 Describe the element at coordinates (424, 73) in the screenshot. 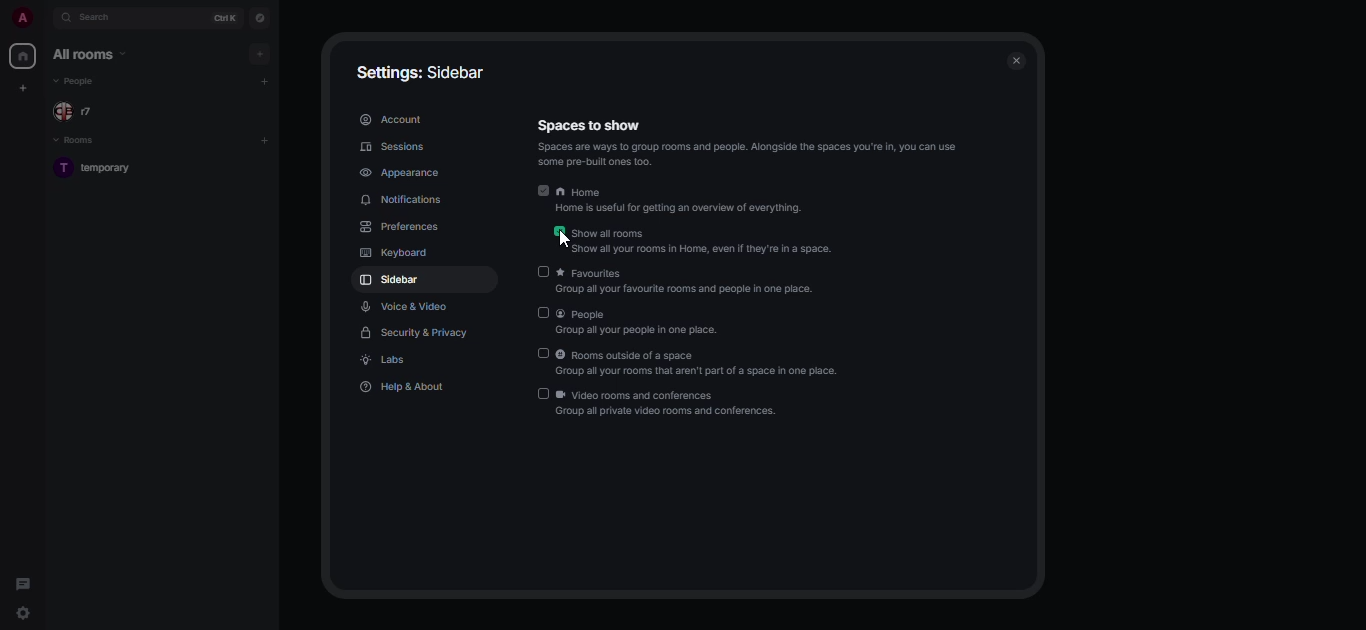

I see `settings: sidebar` at that location.